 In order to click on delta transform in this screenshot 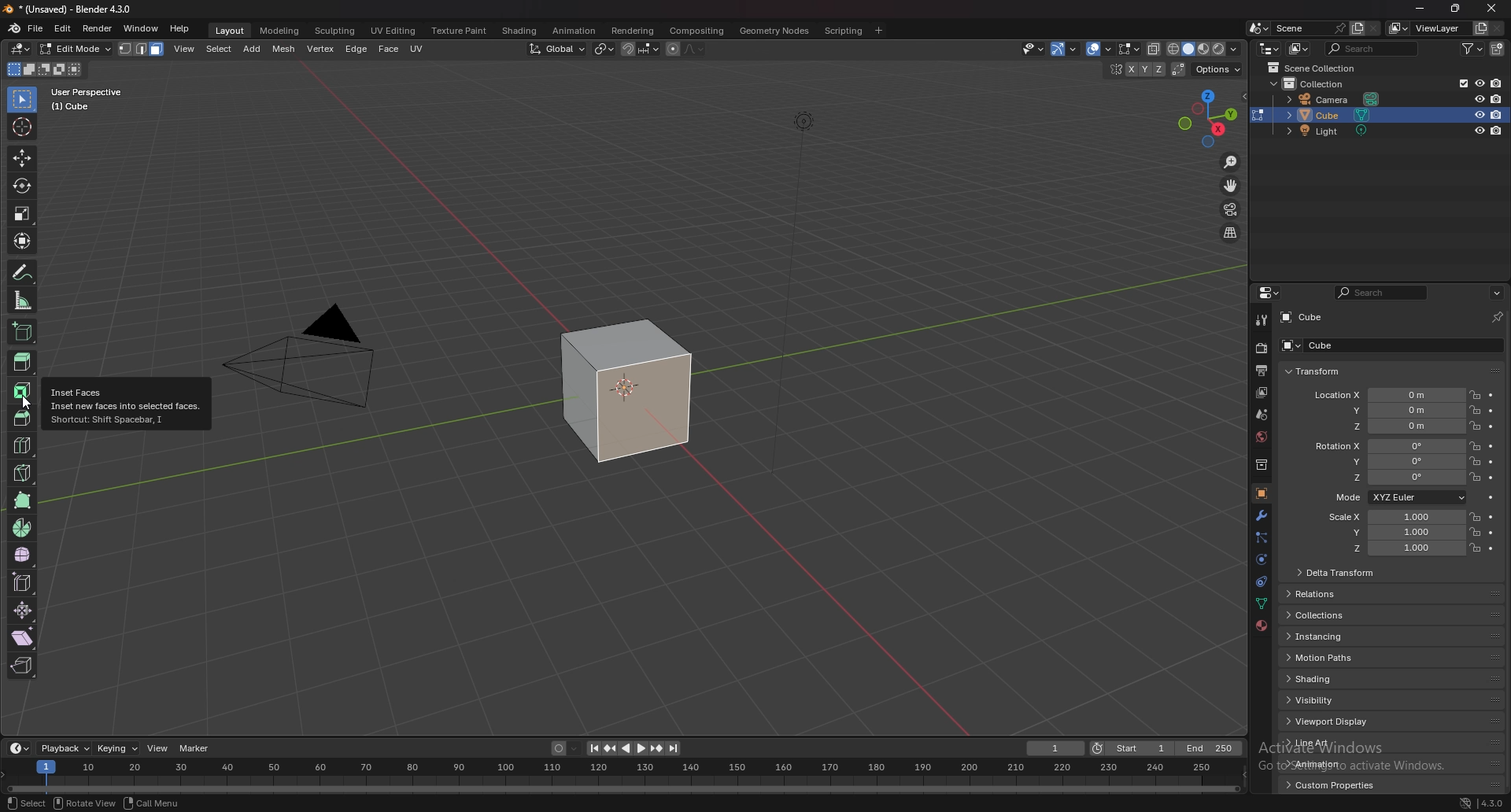, I will do `click(1338, 571)`.